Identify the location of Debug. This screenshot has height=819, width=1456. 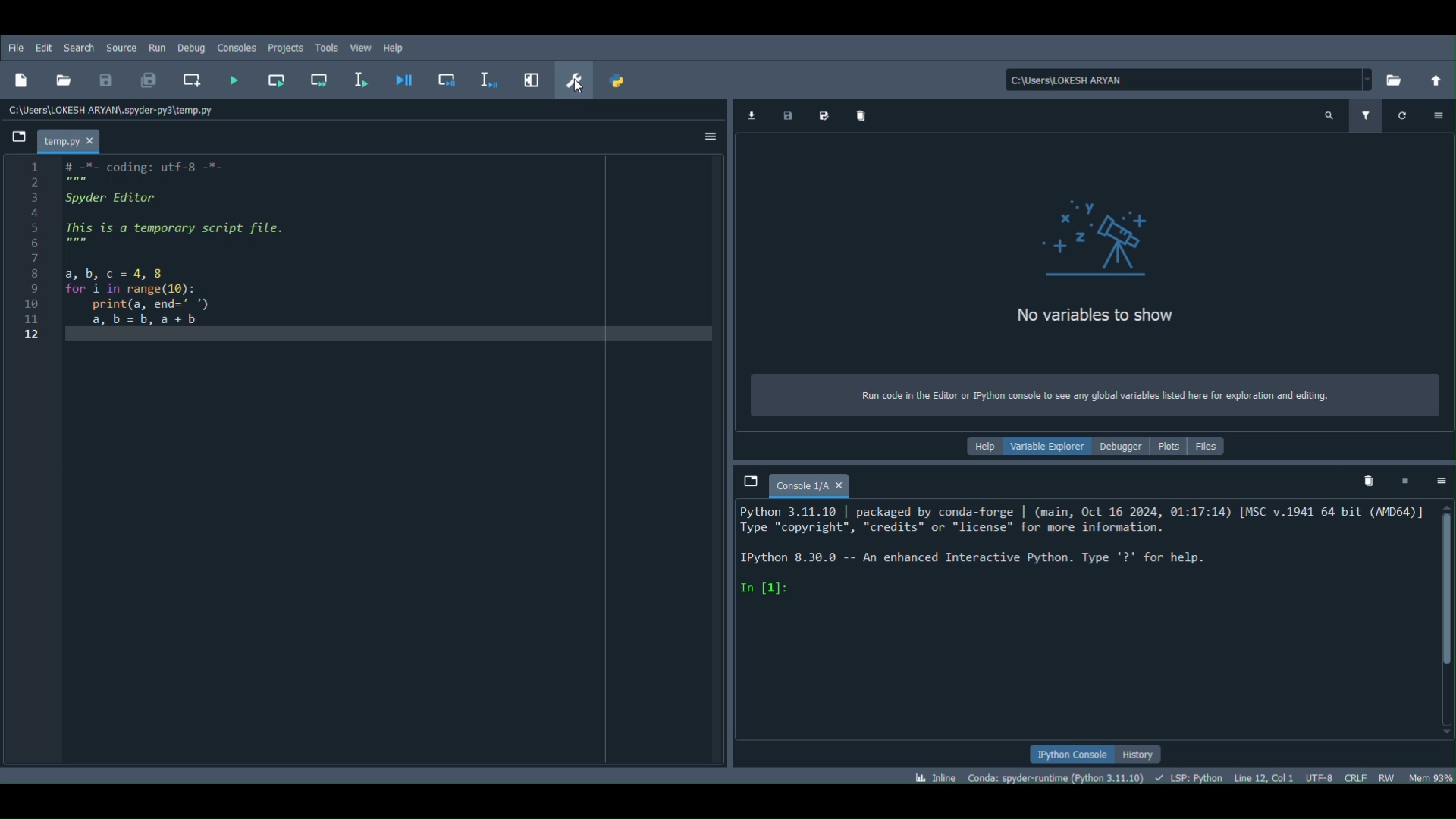
(191, 48).